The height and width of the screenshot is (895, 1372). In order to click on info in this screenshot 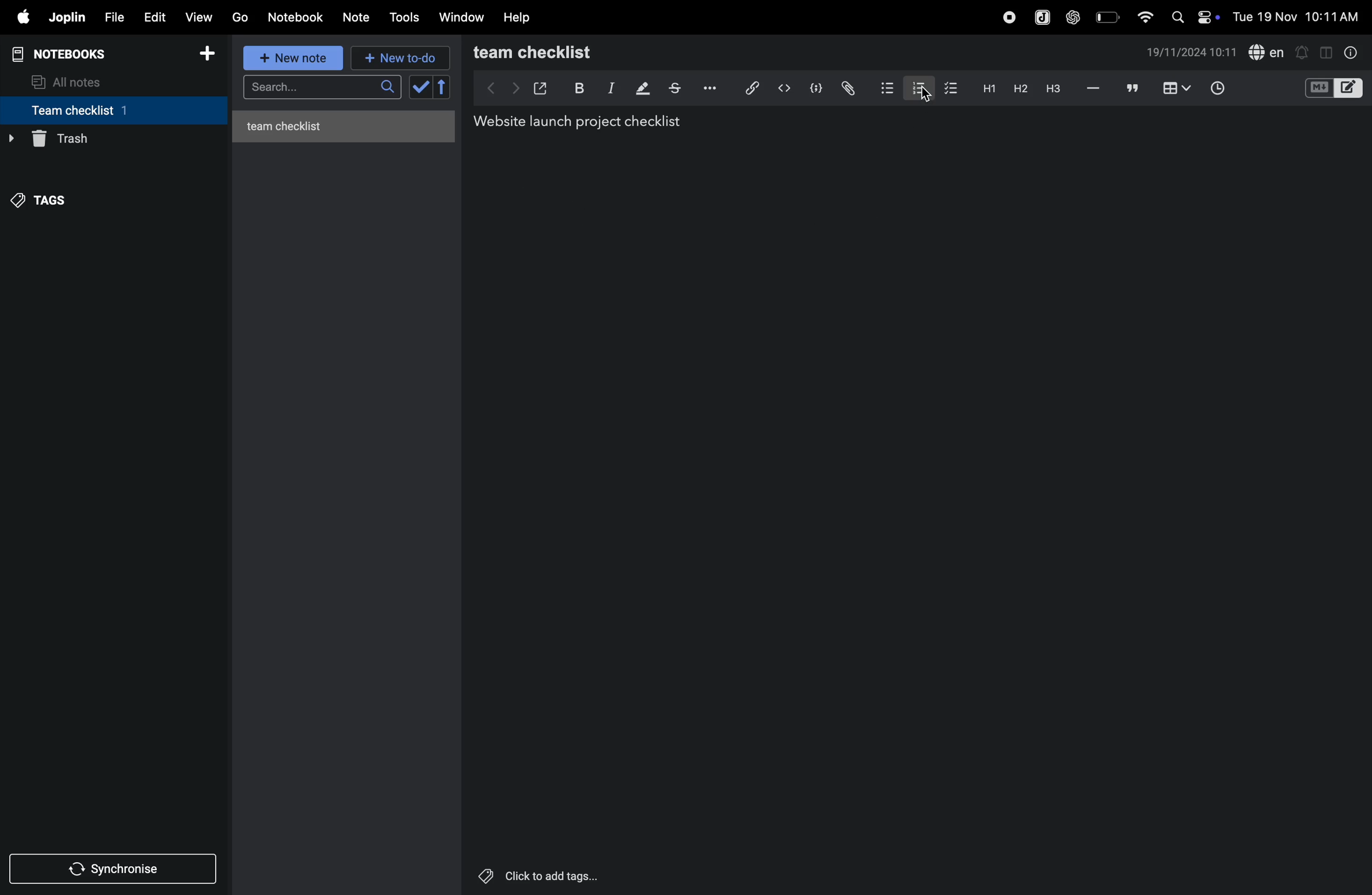, I will do `click(1348, 52)`.